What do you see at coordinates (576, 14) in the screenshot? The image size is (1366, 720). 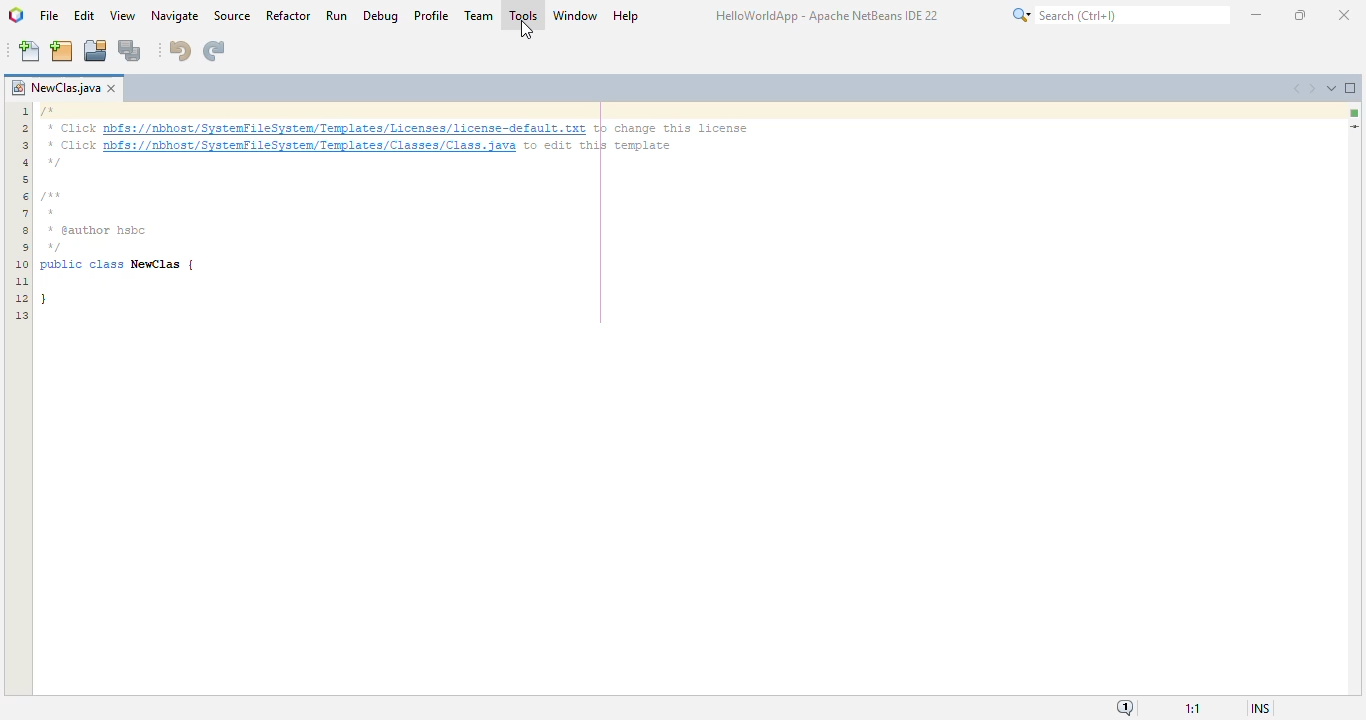 I see `window` at bounding box center [576, 14].